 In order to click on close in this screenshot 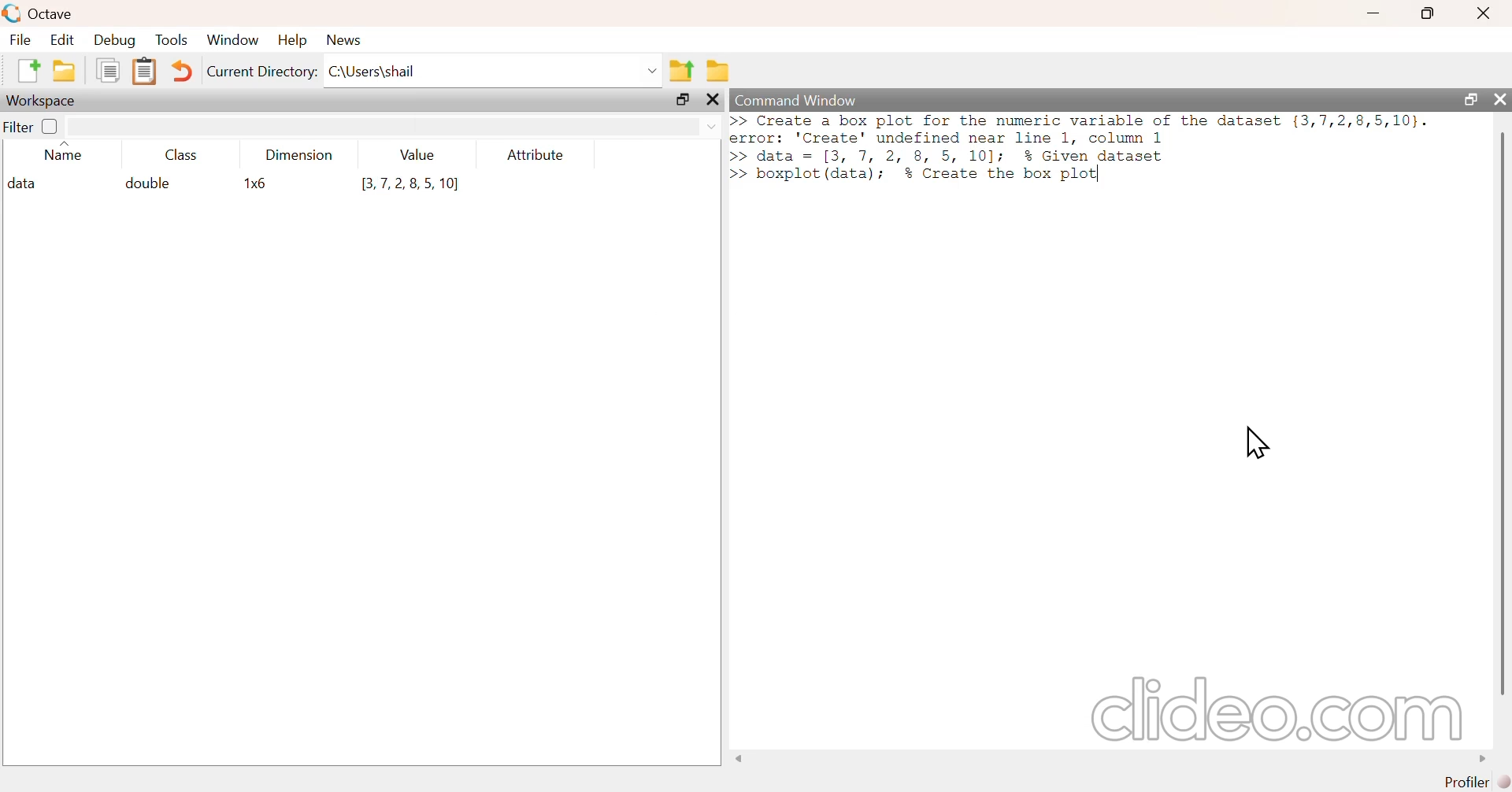, I will do `click(1488, 13)`.